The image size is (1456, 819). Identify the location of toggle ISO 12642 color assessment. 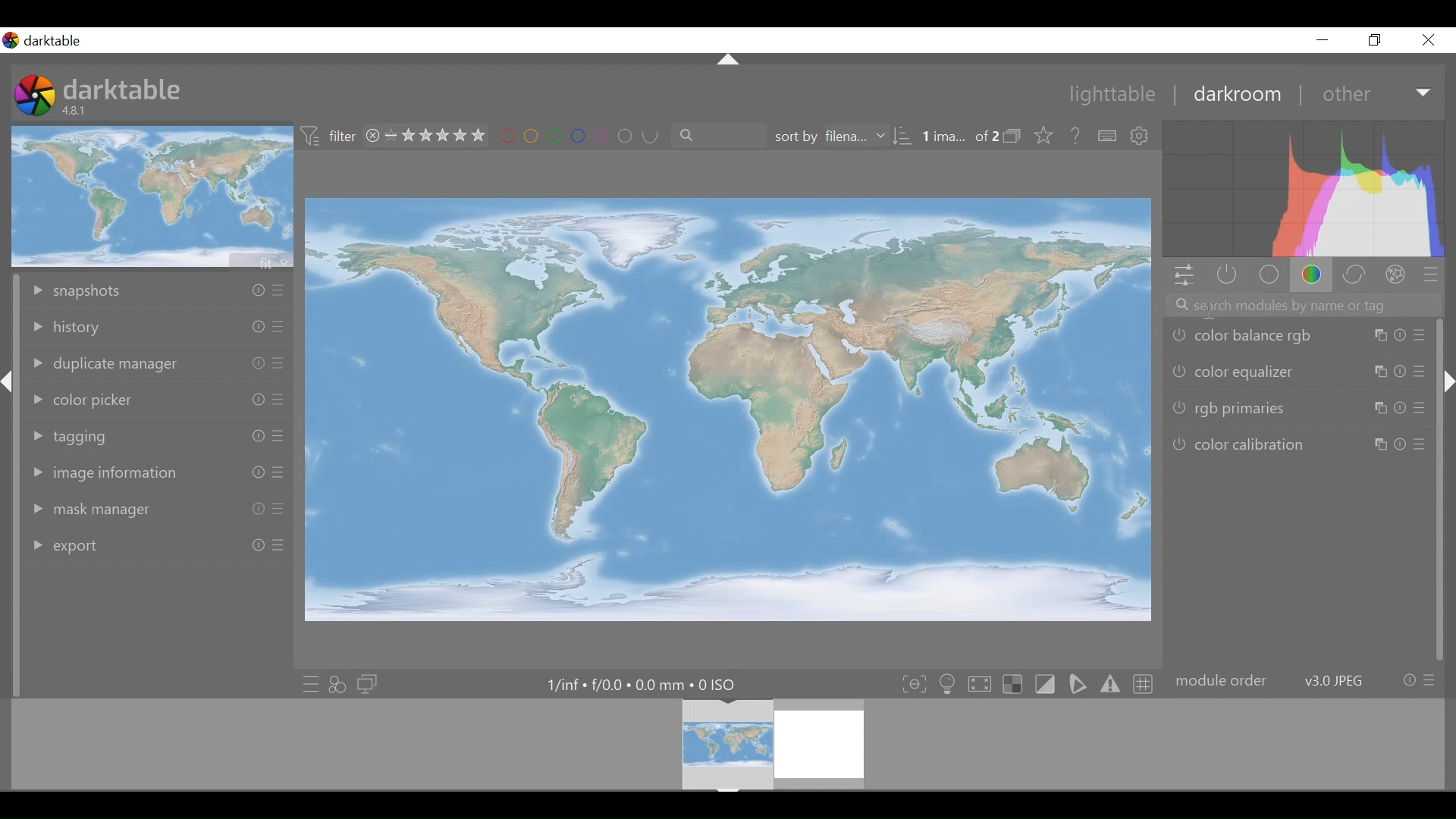
(948, 684).